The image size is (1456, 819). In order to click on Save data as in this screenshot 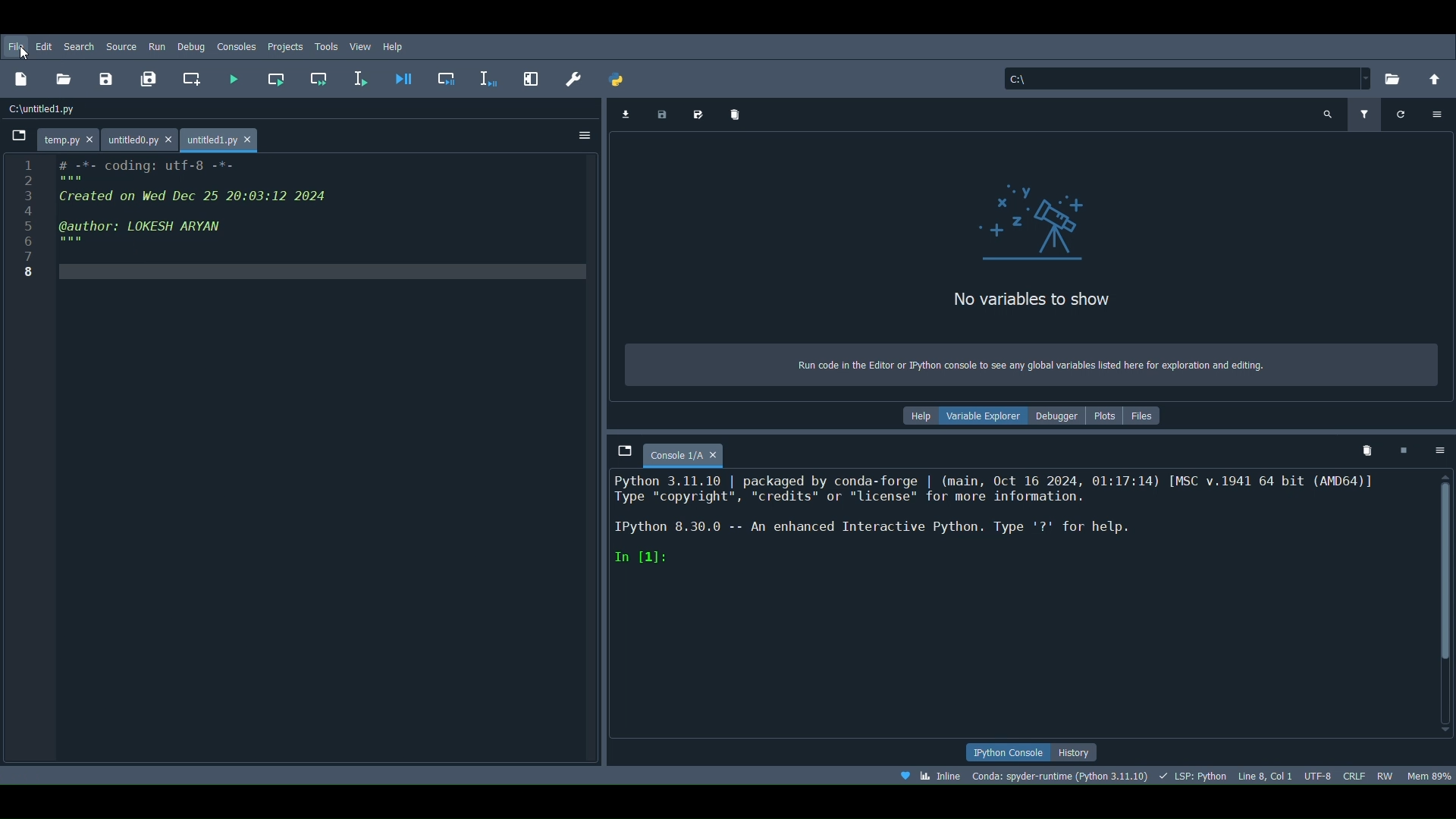, I will do `click(701, 111)`.